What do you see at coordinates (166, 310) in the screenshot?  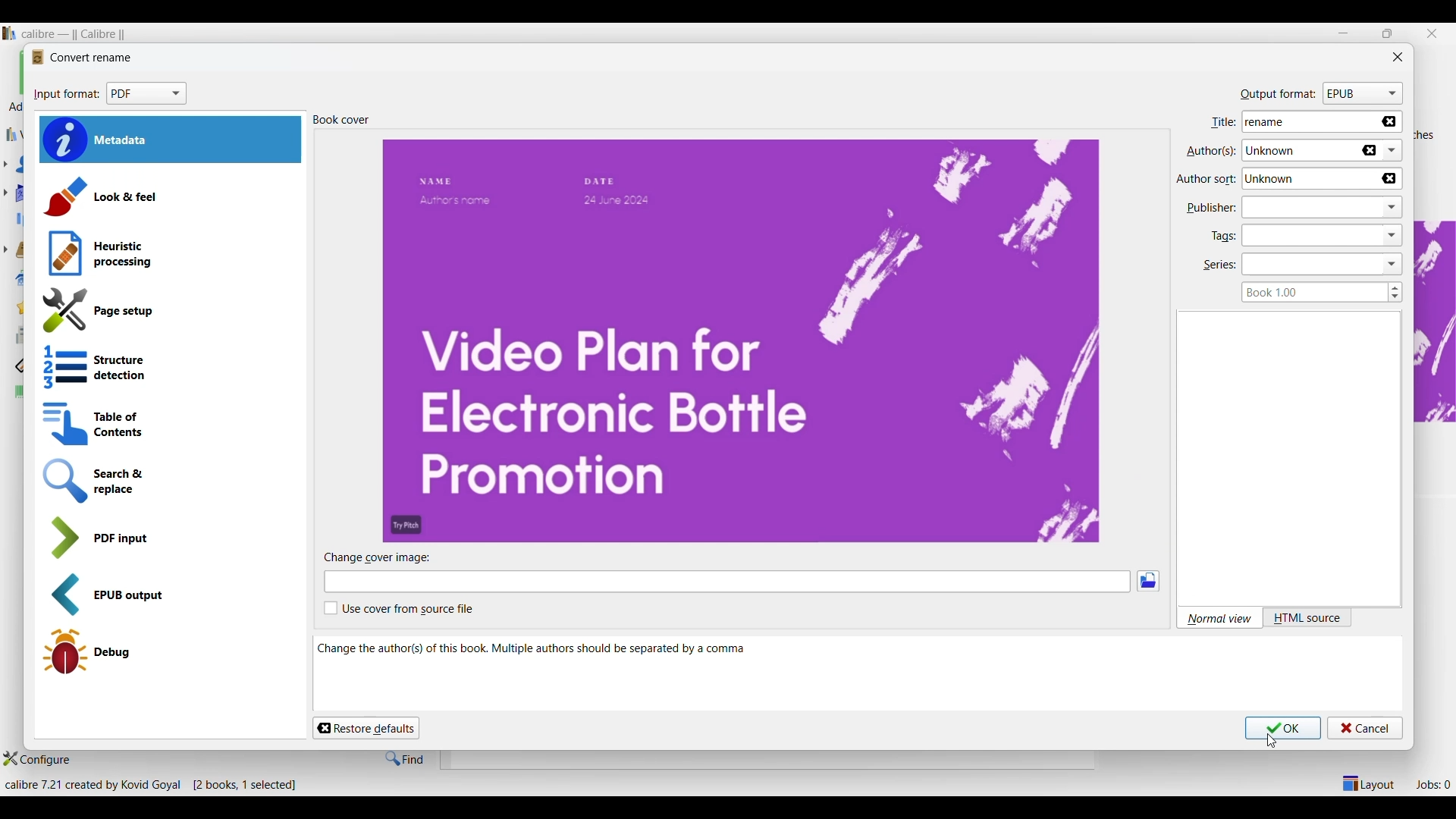 I see `Page setup` at bounding box center [166, 310].